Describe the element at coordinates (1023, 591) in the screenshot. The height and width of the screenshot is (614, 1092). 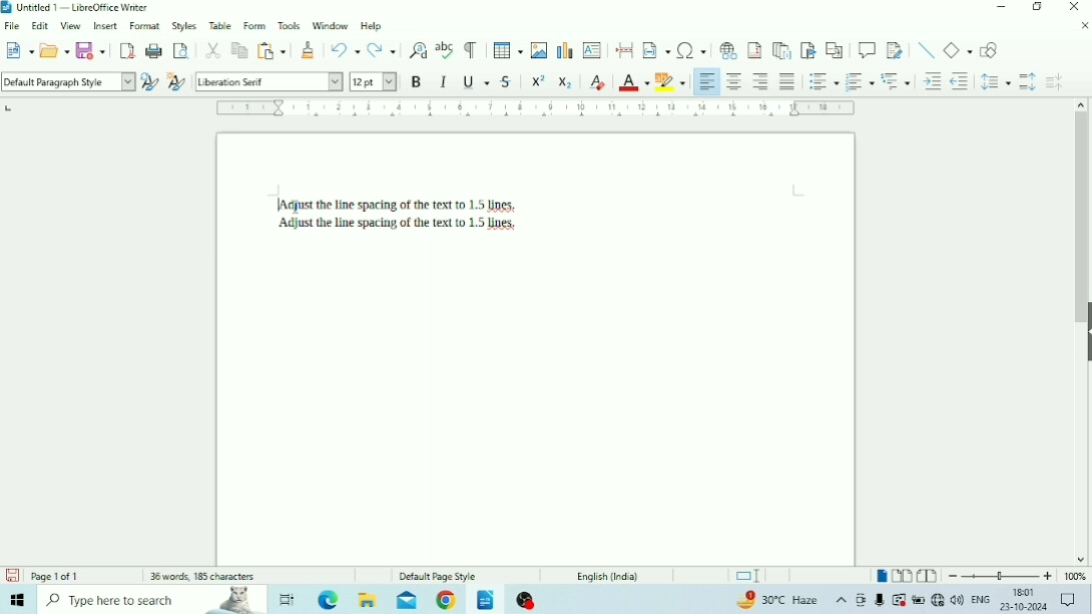
I see `Time` at that location.